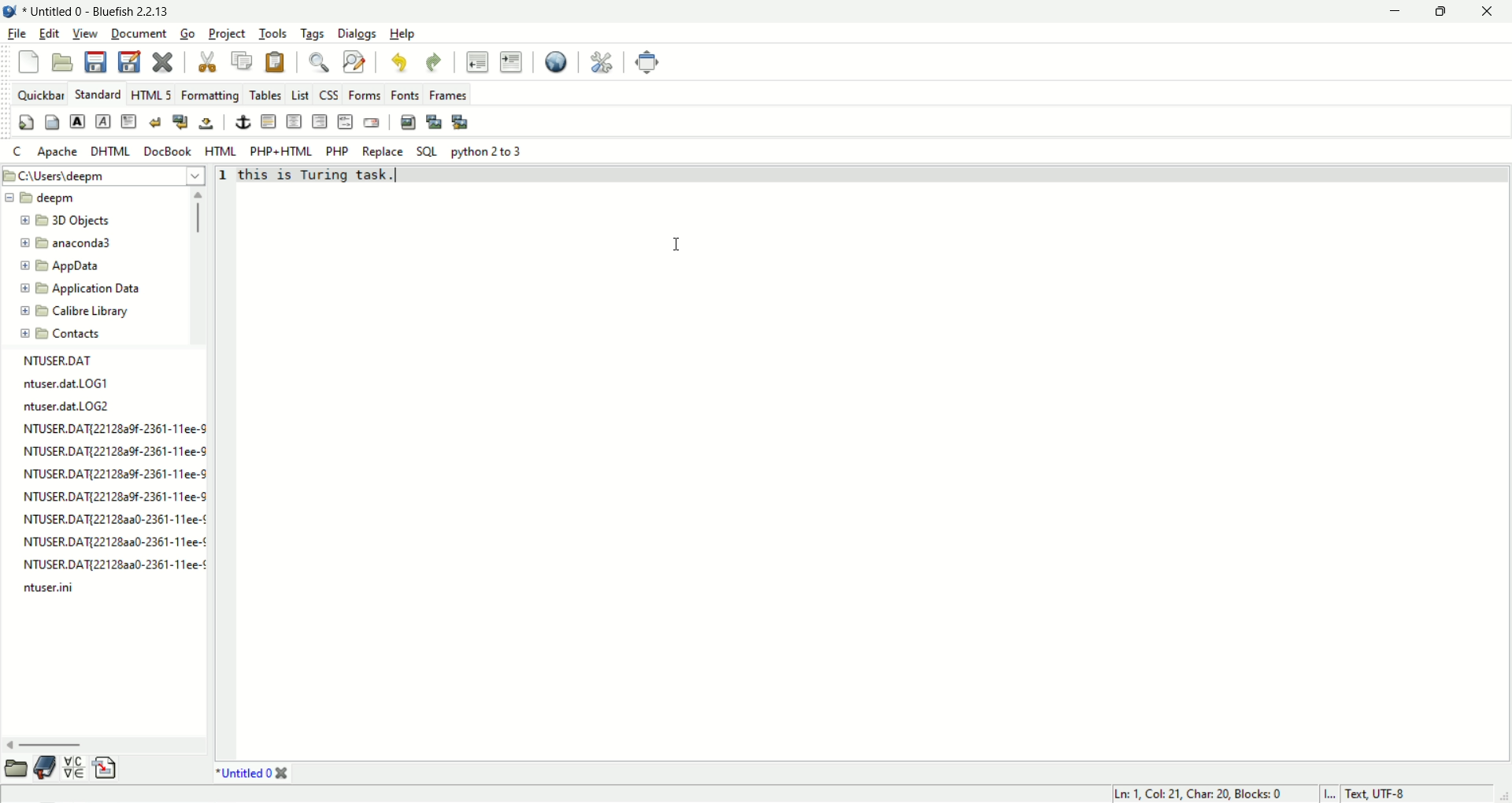 Image resolution: width=1512 pixels, height=803 pixels. I want to click on edit, so click(46, 34).